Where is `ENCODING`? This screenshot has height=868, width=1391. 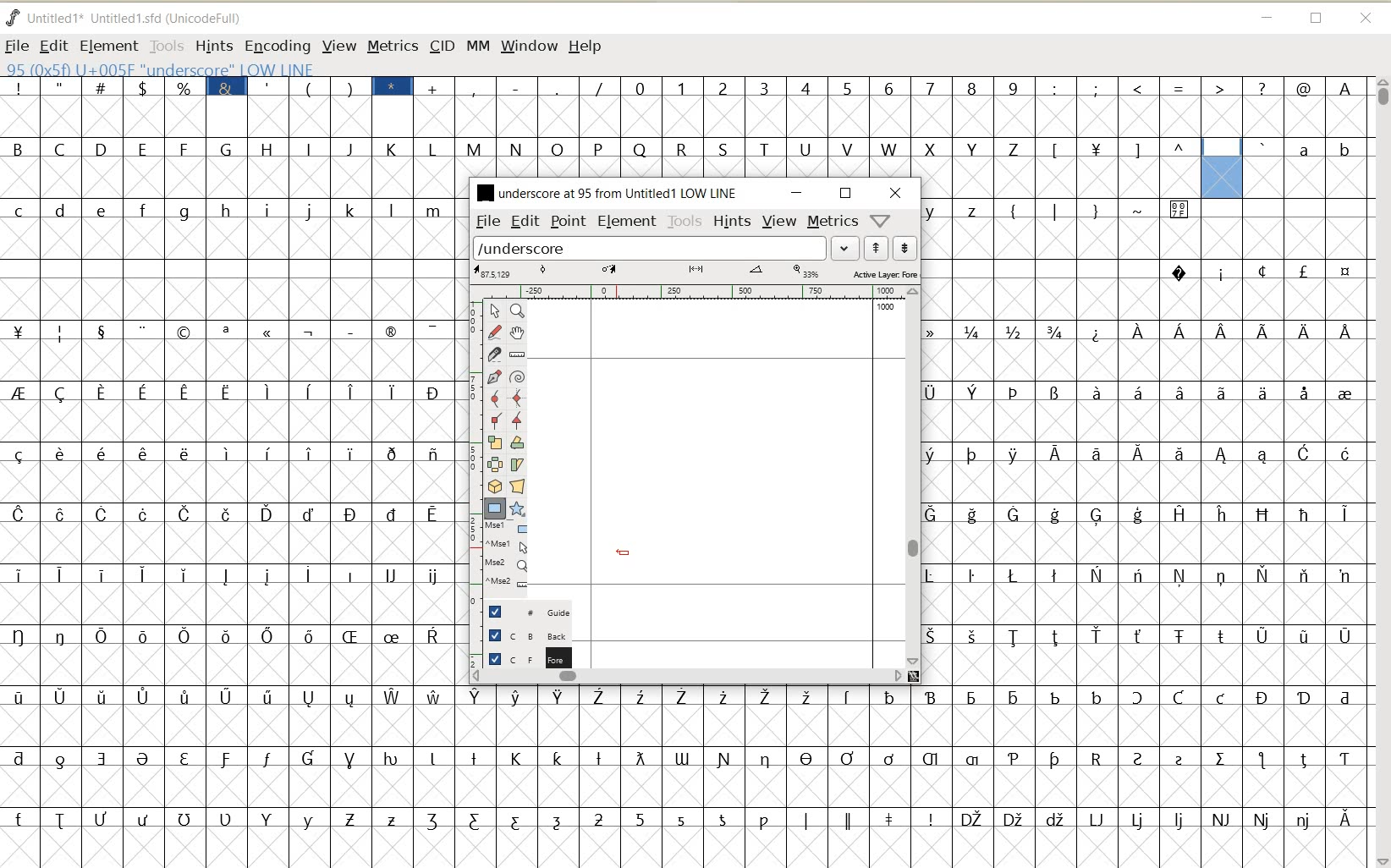 ENCODING is located at coordinates (277, 47).